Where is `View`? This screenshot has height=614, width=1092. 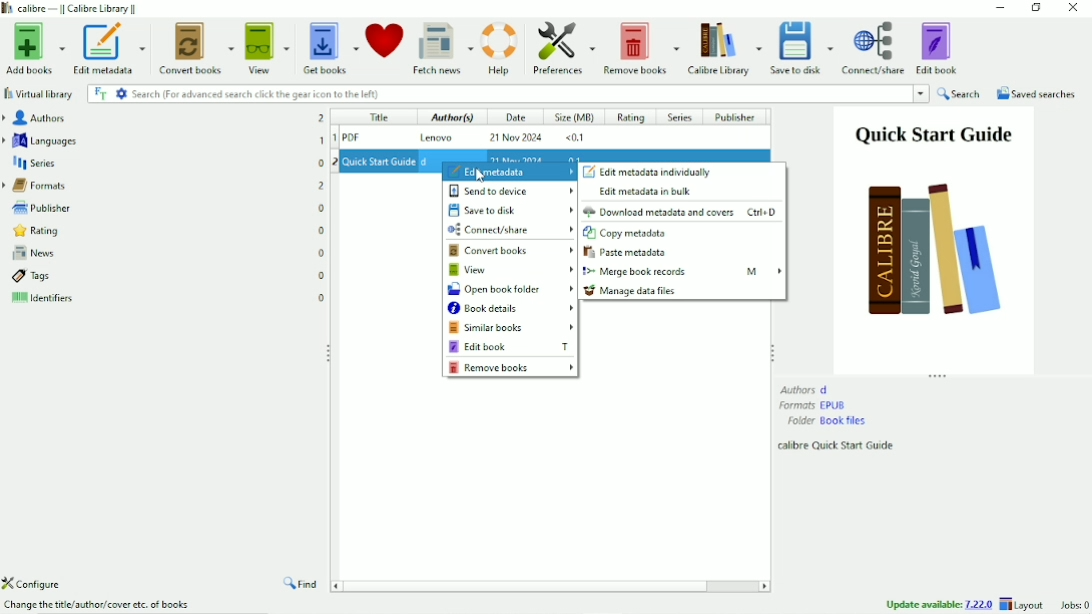 View is located at coordinates (511, 270).